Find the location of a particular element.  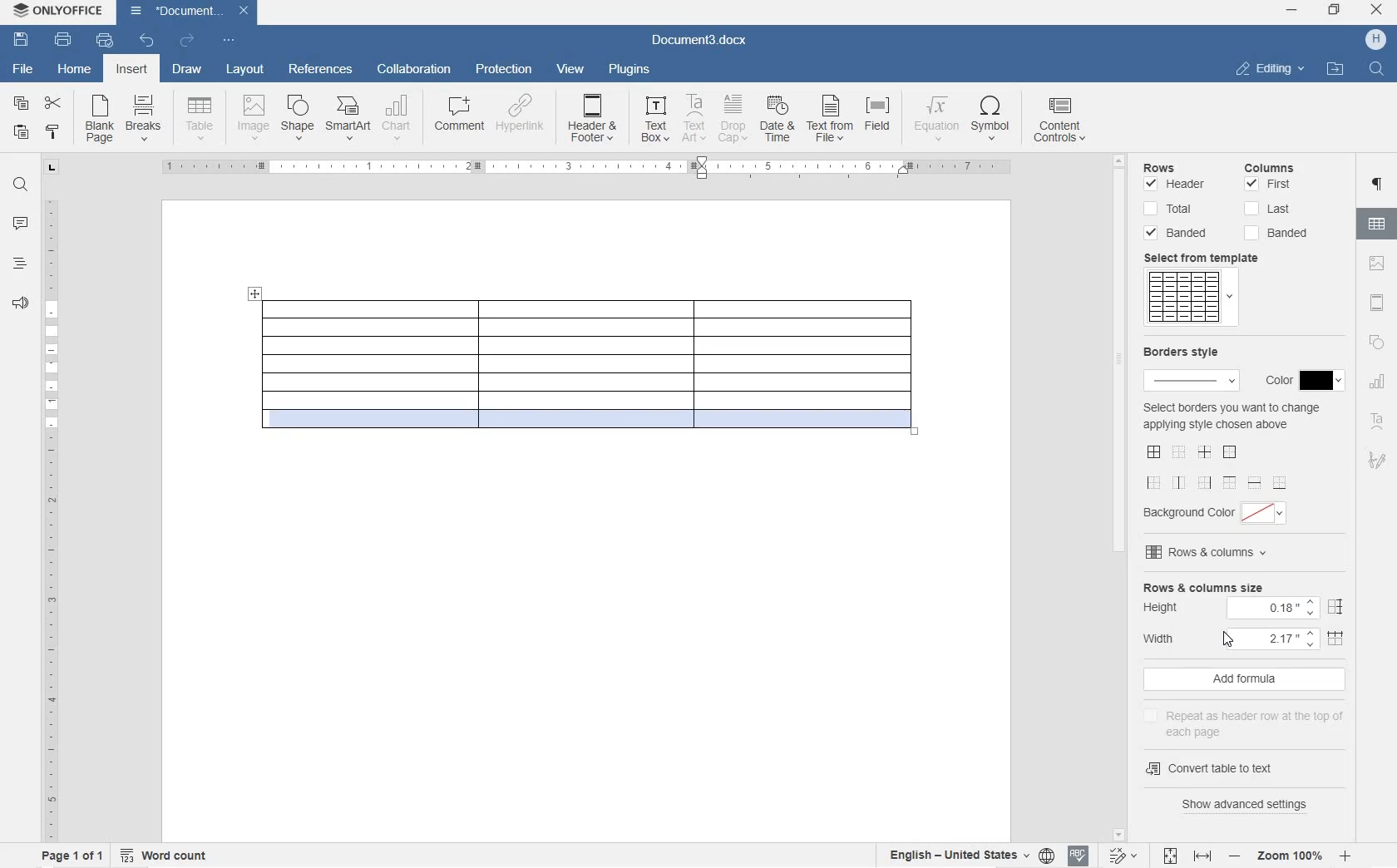

Banded is located at coordinates (1177, 233).